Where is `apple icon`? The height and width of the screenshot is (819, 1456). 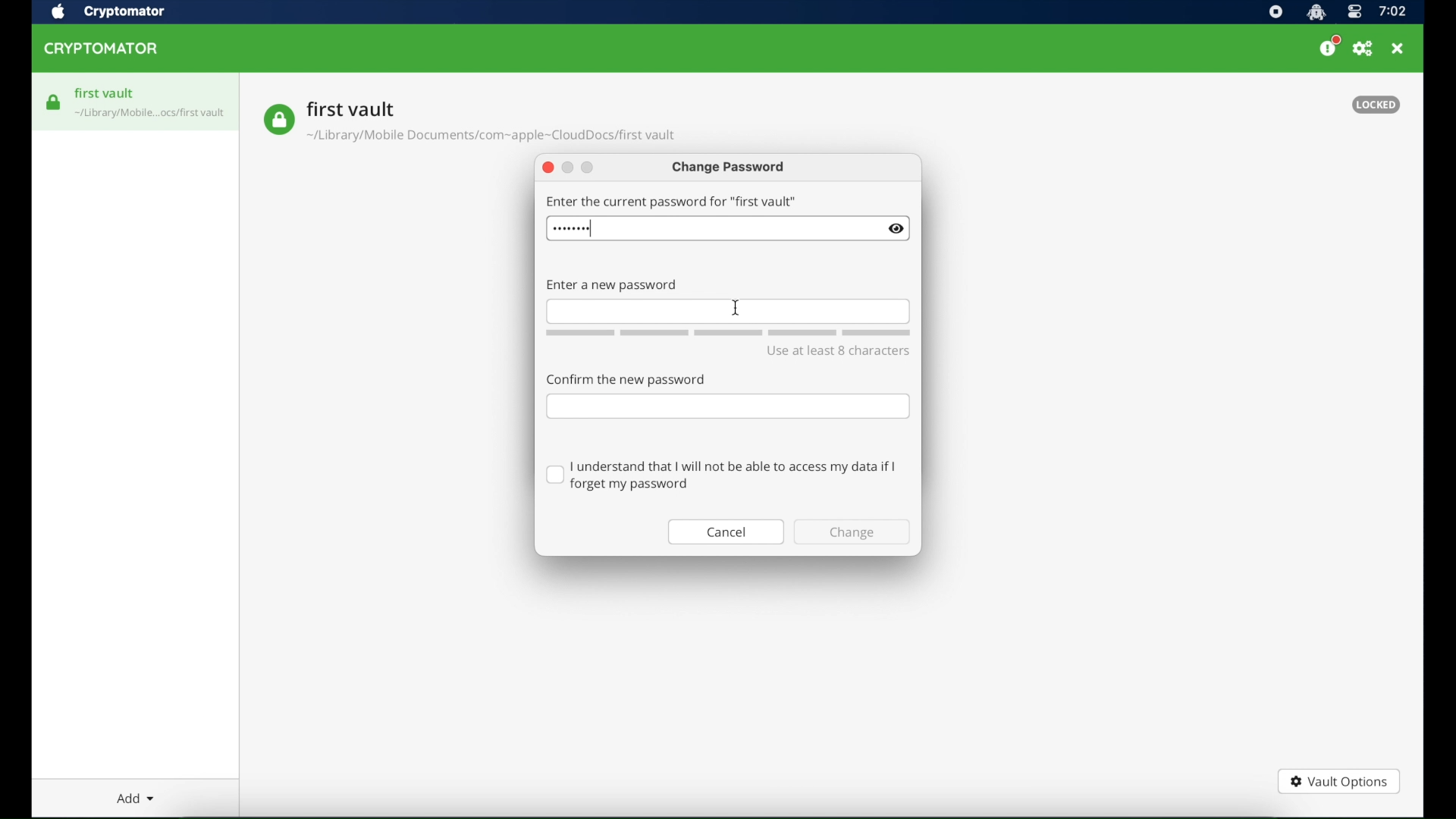 apple icon is located at coordinates (57, 12).